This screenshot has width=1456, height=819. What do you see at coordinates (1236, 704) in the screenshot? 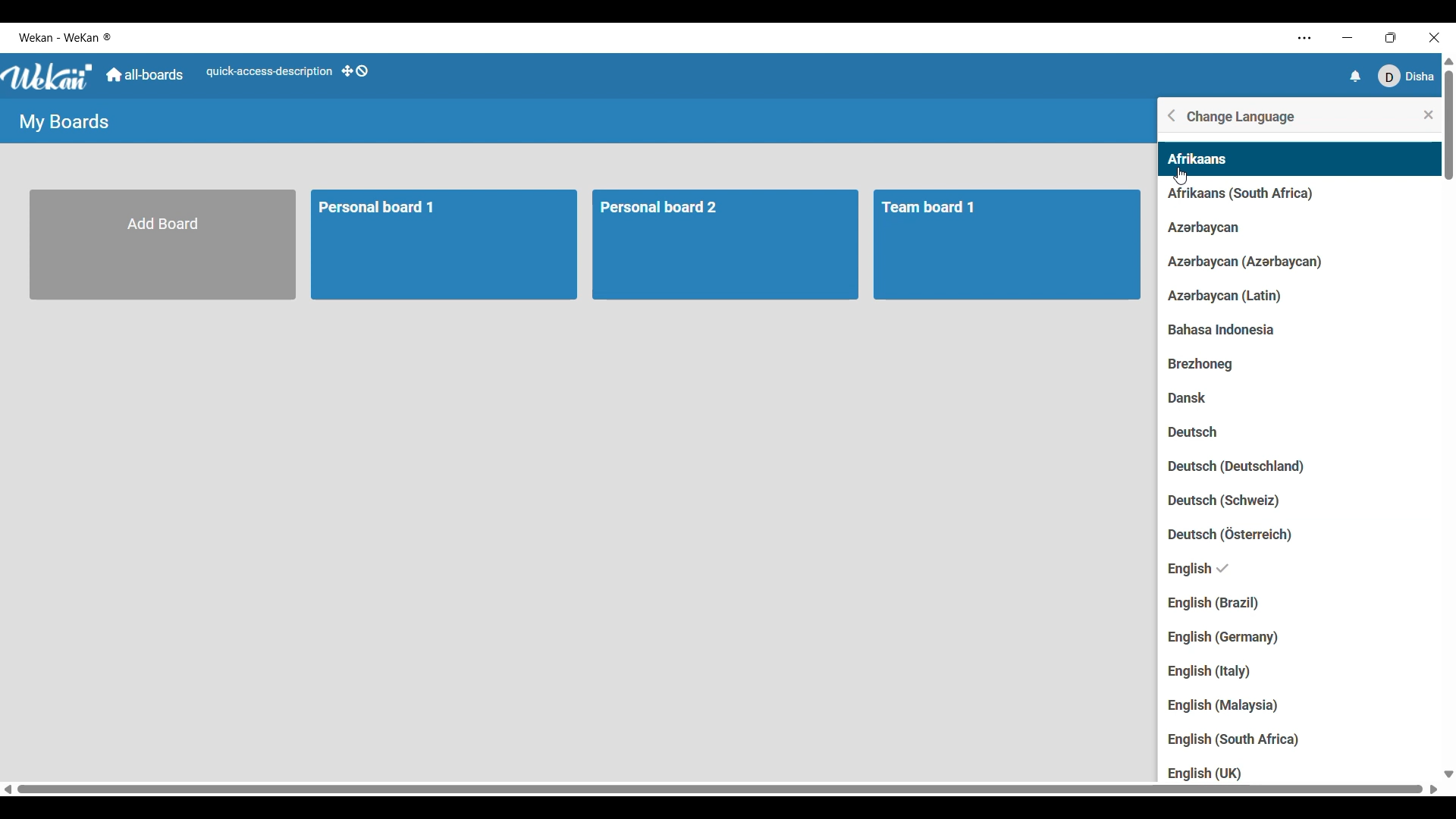
I see `English (Malaysia)` at bounding box center [1236, 704].